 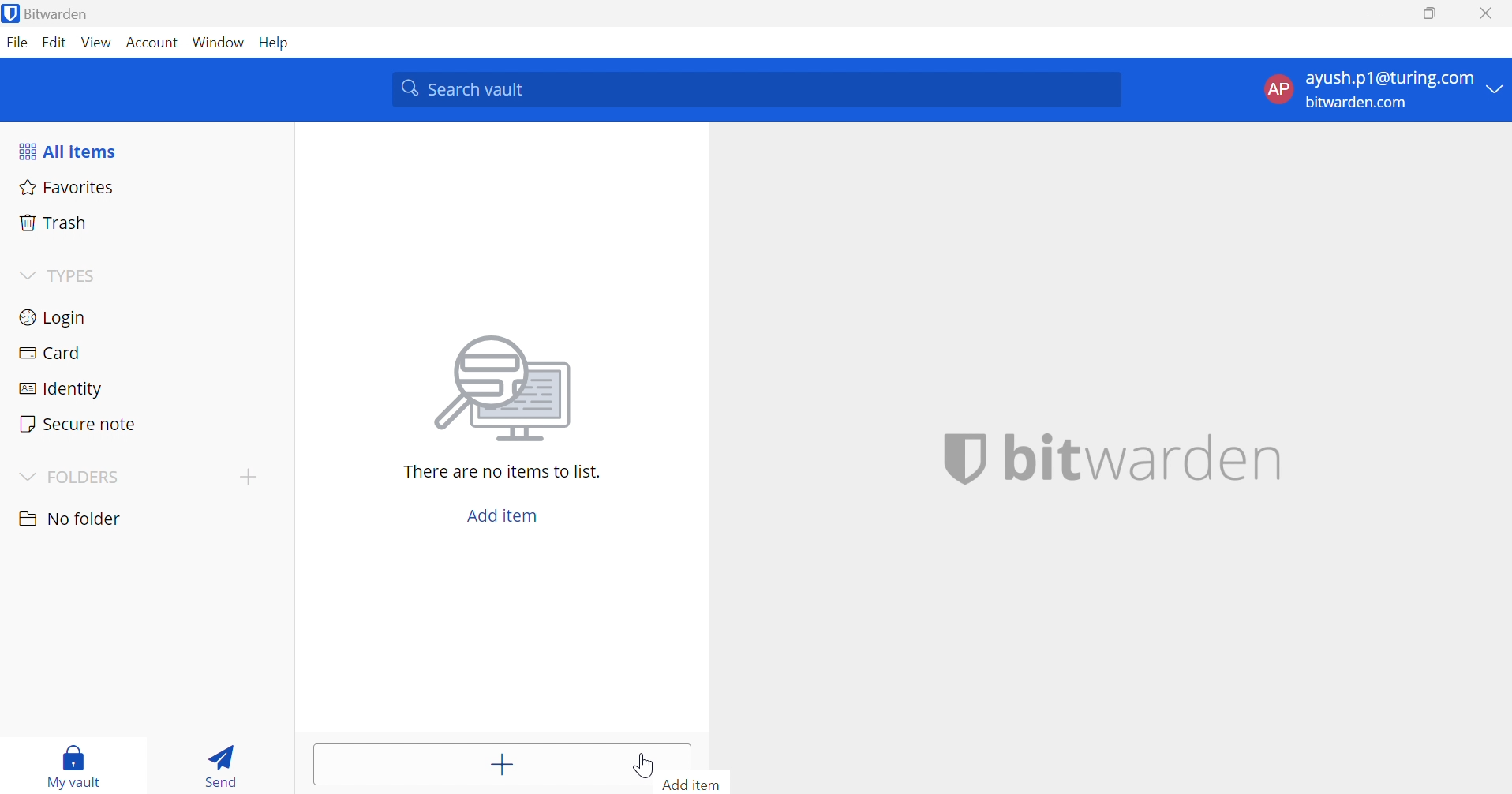 I want to click on Card, so click(x=54, y=353).